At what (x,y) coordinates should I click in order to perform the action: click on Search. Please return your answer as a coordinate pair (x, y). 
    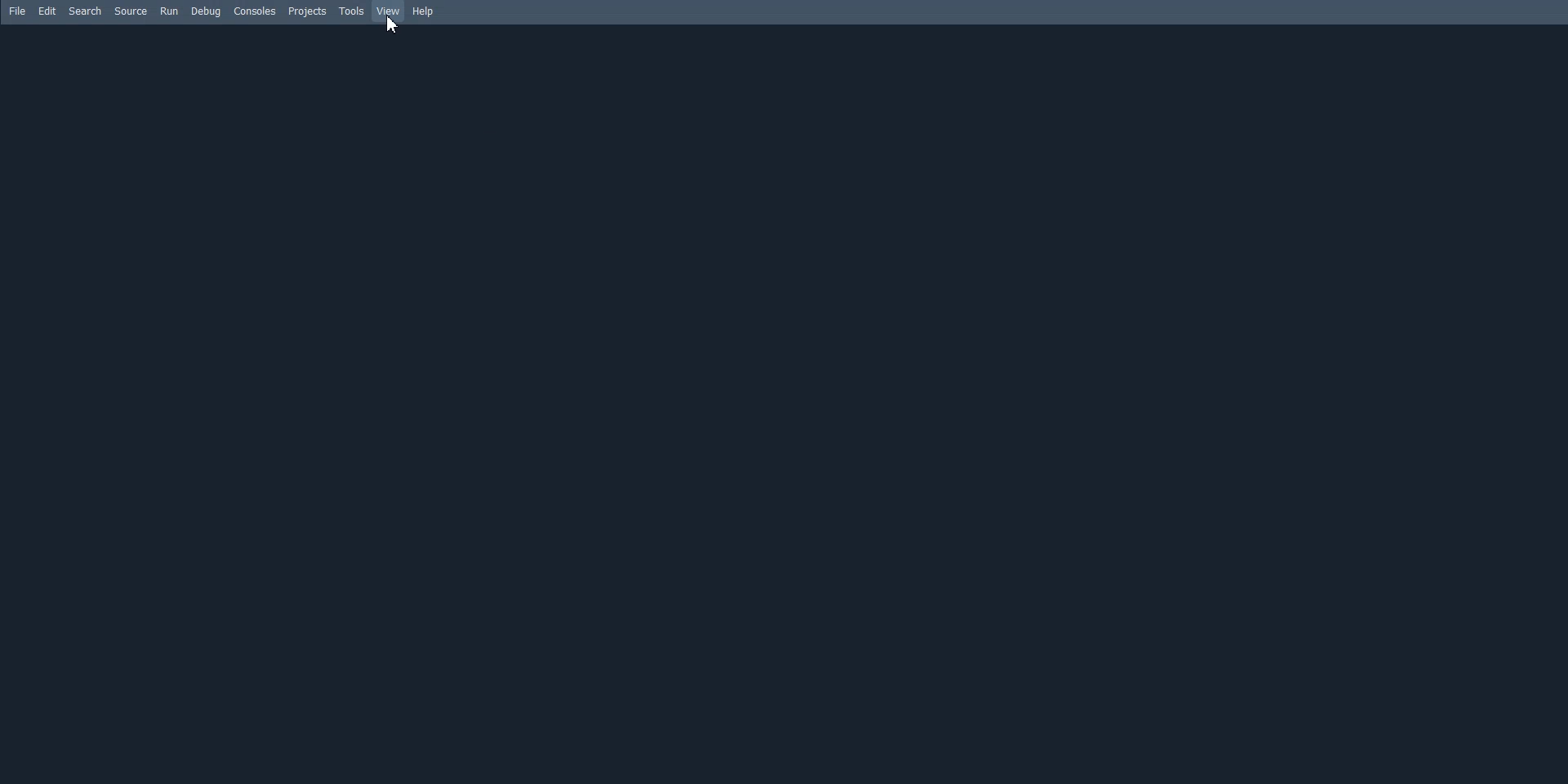
    Looking at the image, I should click on (86, 11).